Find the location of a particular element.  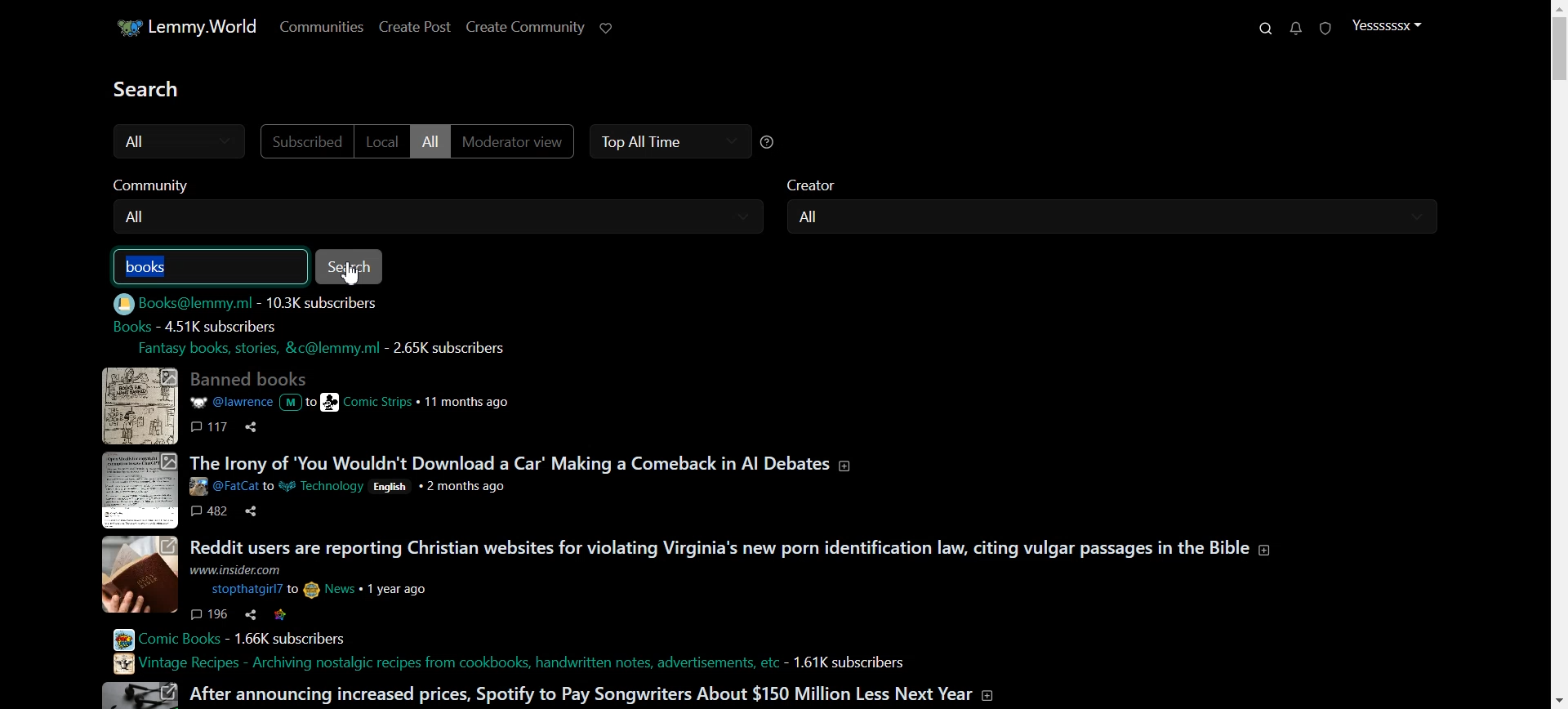

Communities is located at coordinates (323, 26).